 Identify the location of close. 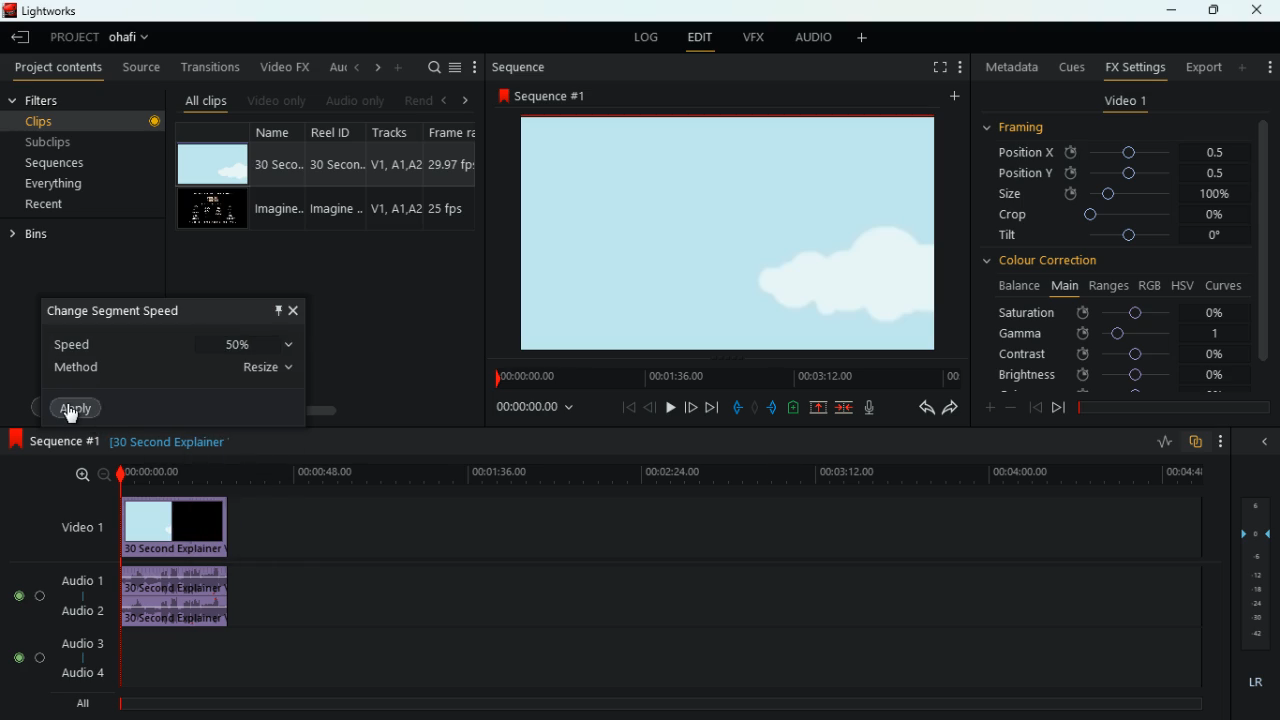
(1261, 10).